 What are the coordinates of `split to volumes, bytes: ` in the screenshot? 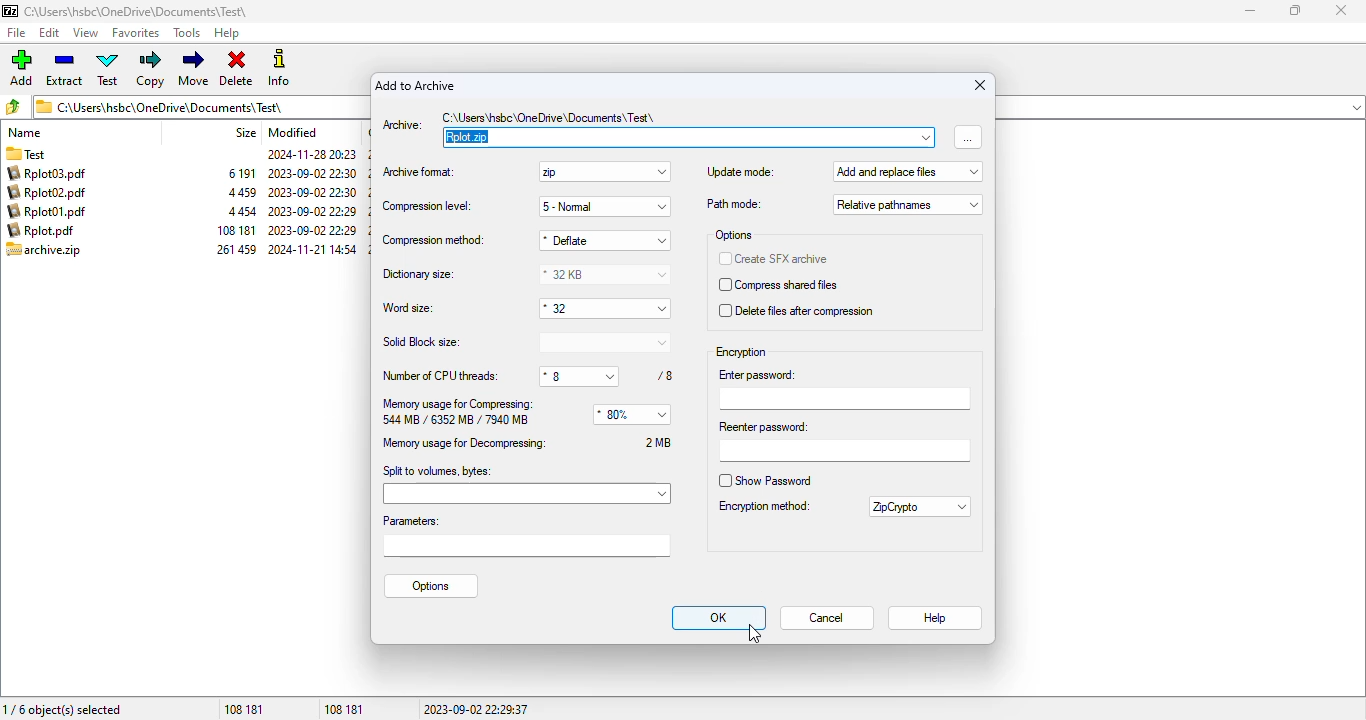 It's located at (526, 483).